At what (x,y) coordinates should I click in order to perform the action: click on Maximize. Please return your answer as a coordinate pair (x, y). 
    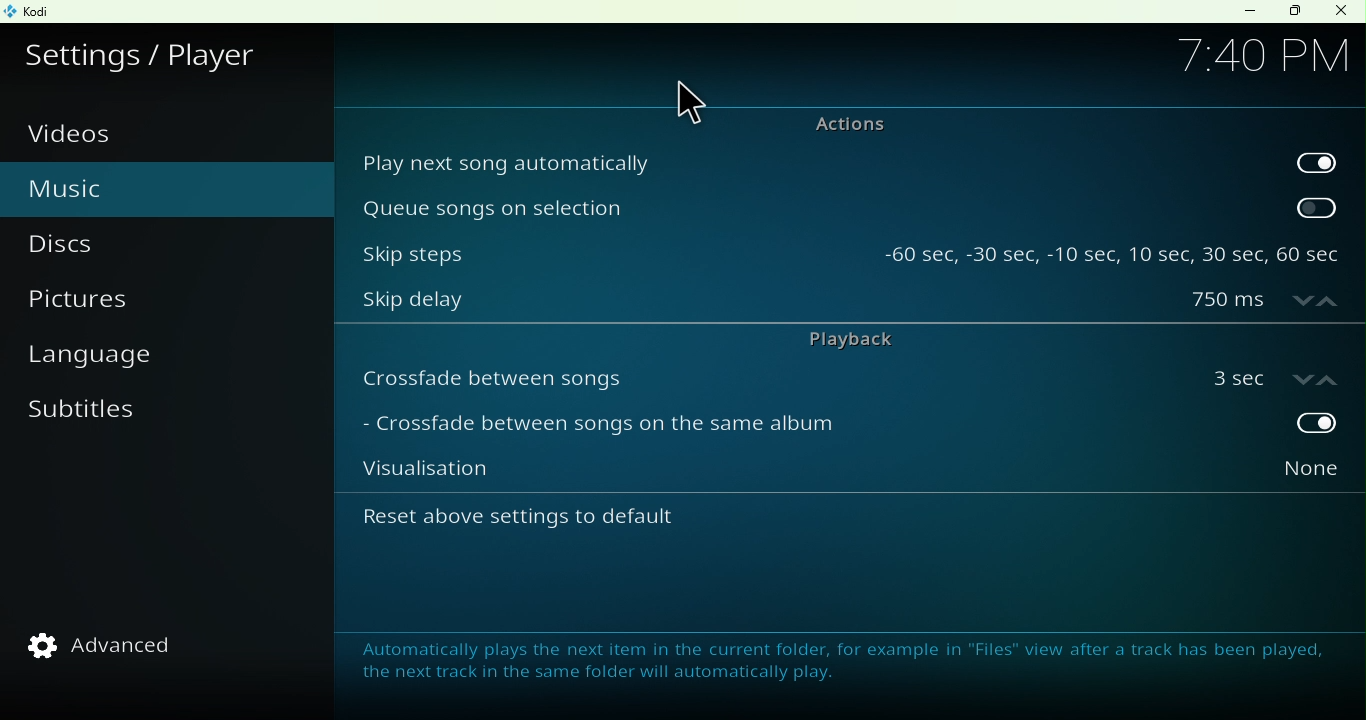
    Looking at the image, I should click on (1294, 12).